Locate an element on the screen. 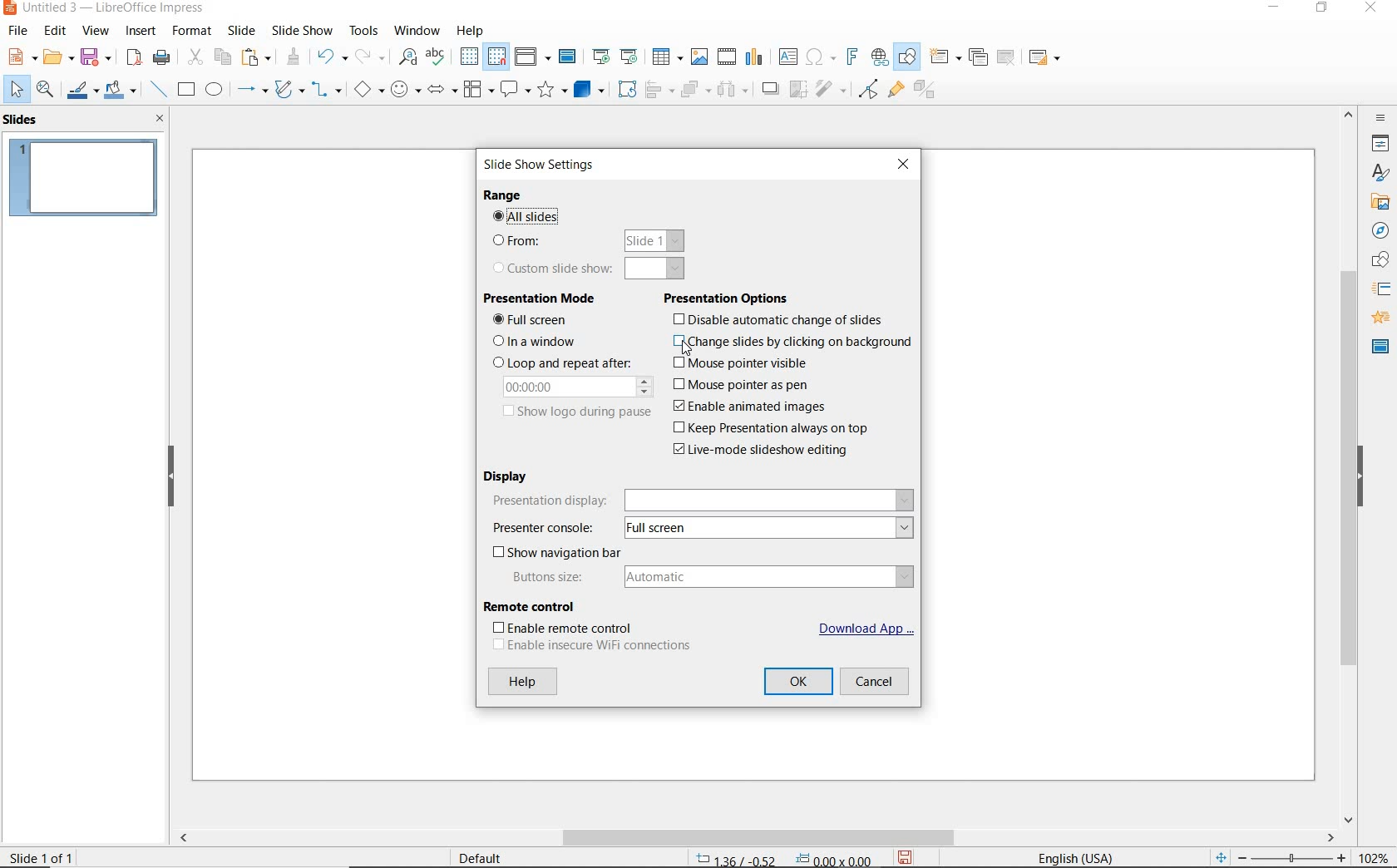 This screenshot has width=1397, height=868. PRINT is located at coordinates (162, 58).